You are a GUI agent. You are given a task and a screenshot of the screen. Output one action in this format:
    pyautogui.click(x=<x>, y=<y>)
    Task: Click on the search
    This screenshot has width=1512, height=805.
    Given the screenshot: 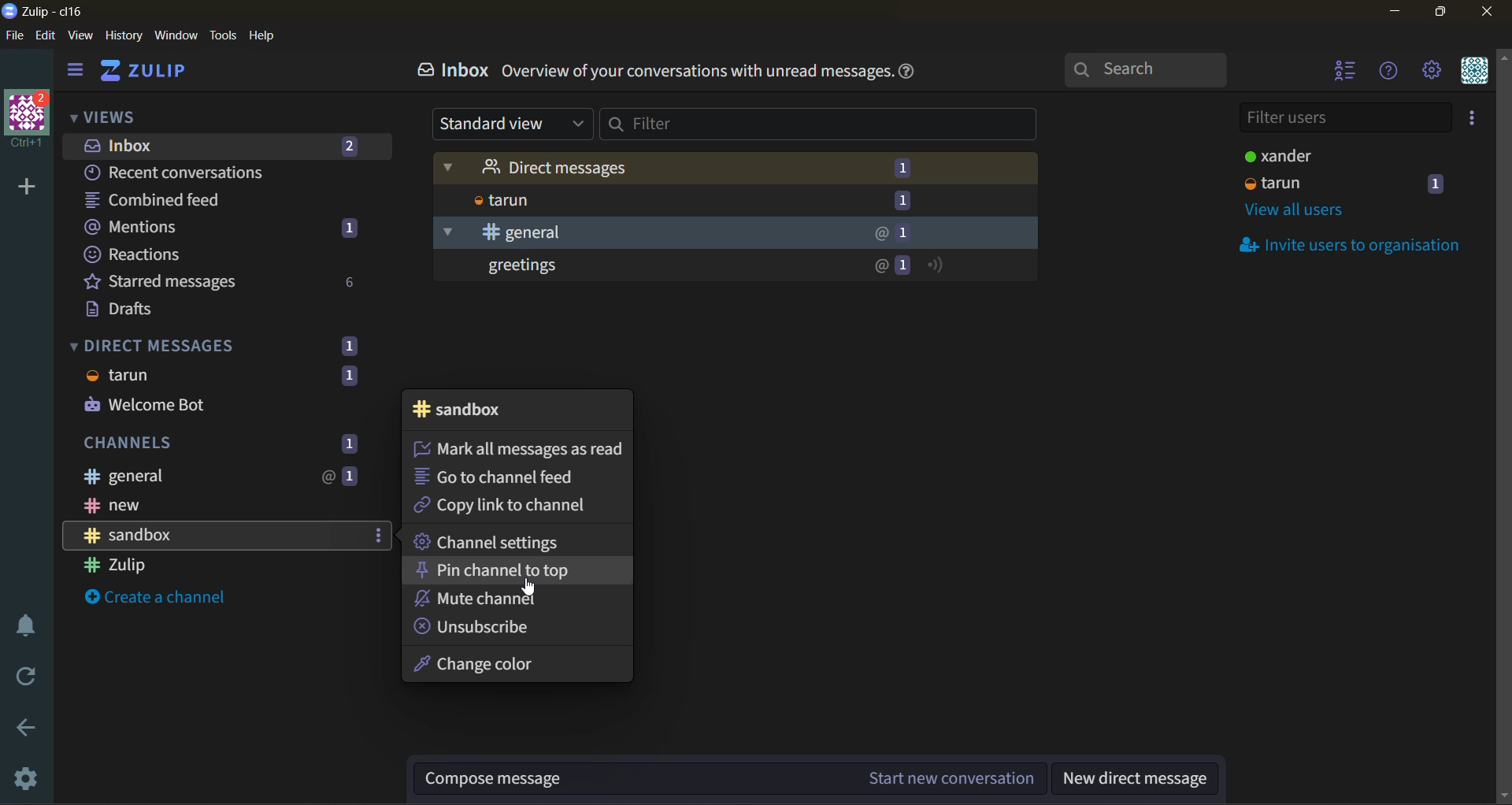 What is the action you would take?
    pyautogui.click(x=1143, y=72)
    